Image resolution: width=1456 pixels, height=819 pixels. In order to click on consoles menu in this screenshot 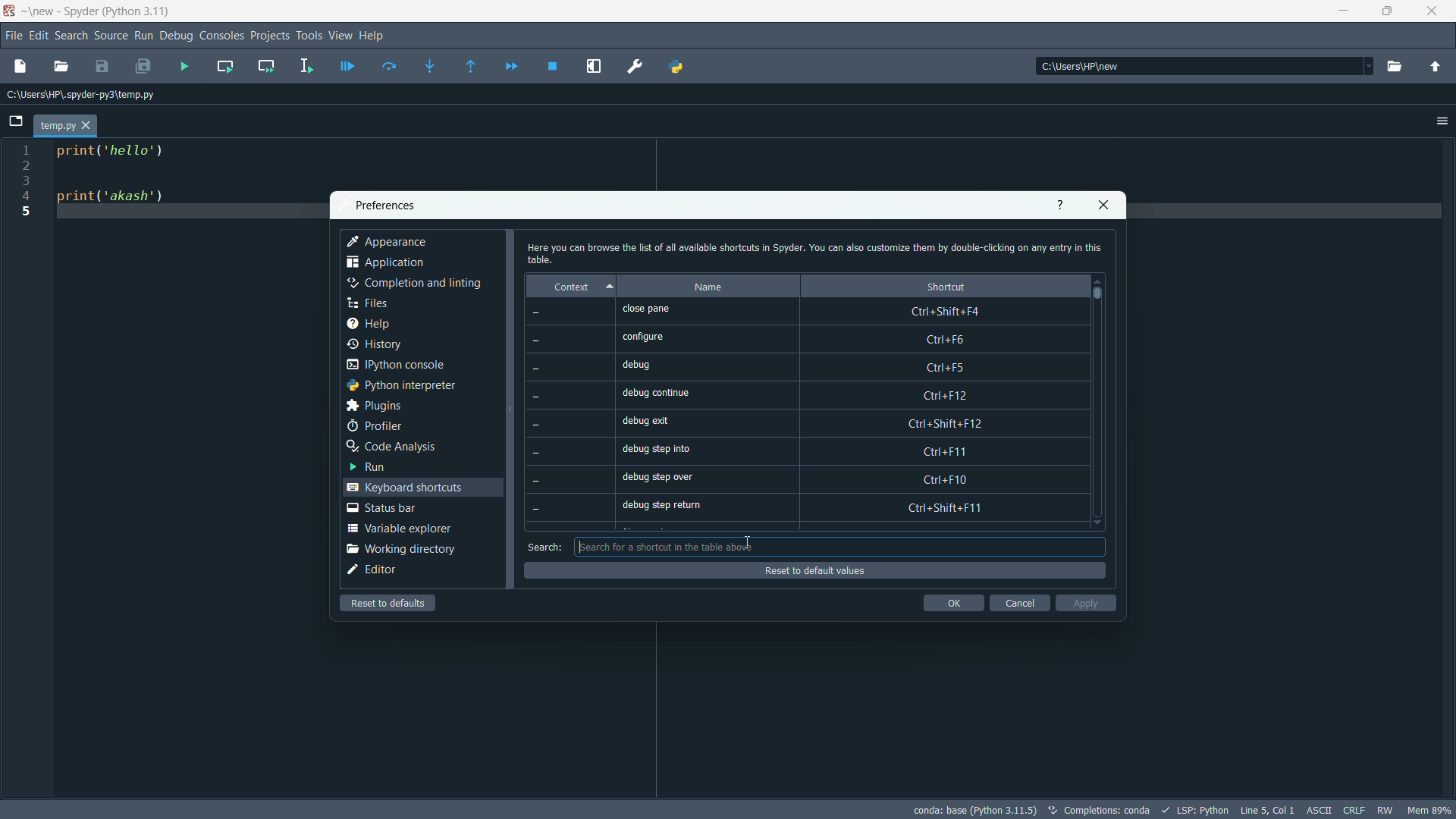, I will do `click(220, 35)`.